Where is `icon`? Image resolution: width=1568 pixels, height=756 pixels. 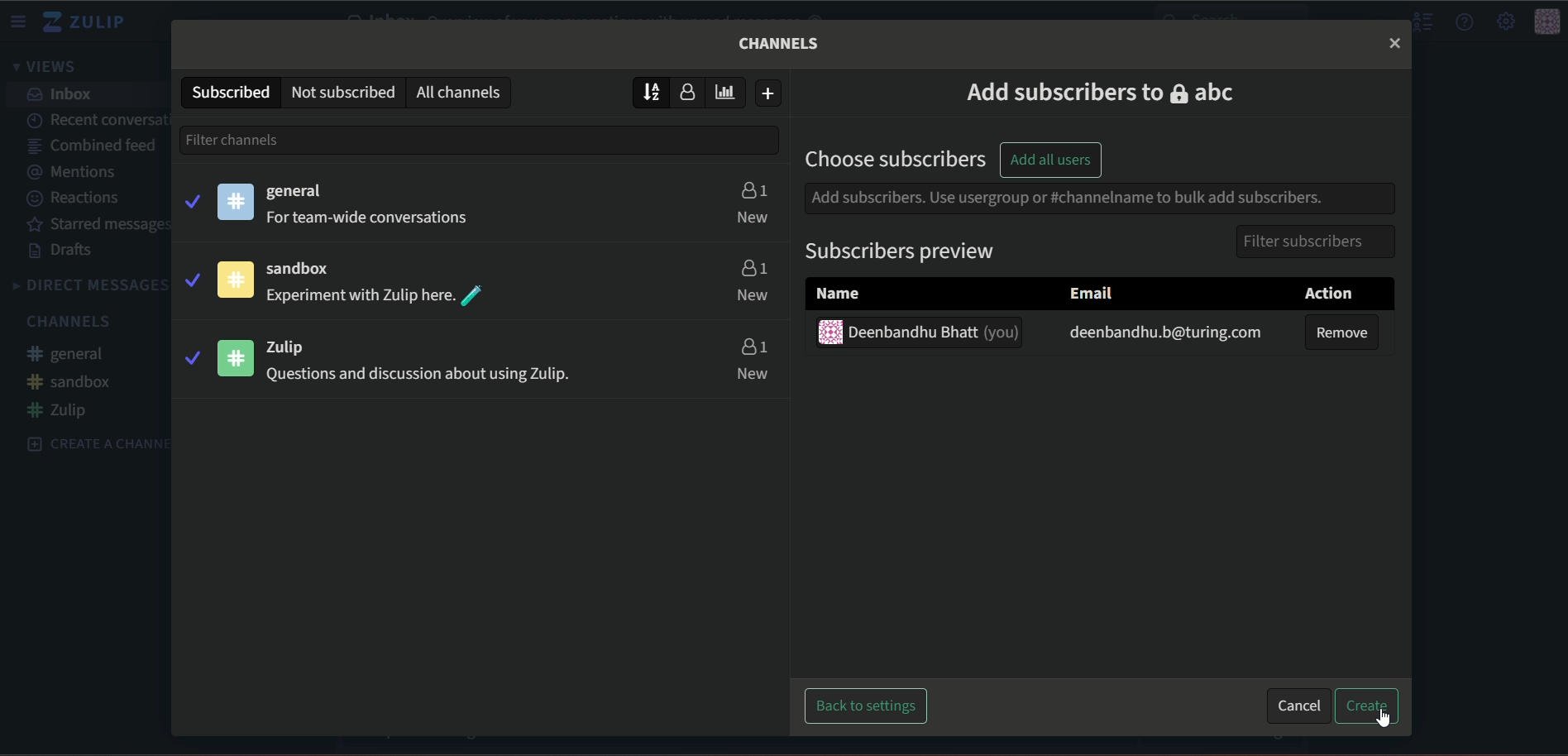 icon is located at coordinates (237, 201).